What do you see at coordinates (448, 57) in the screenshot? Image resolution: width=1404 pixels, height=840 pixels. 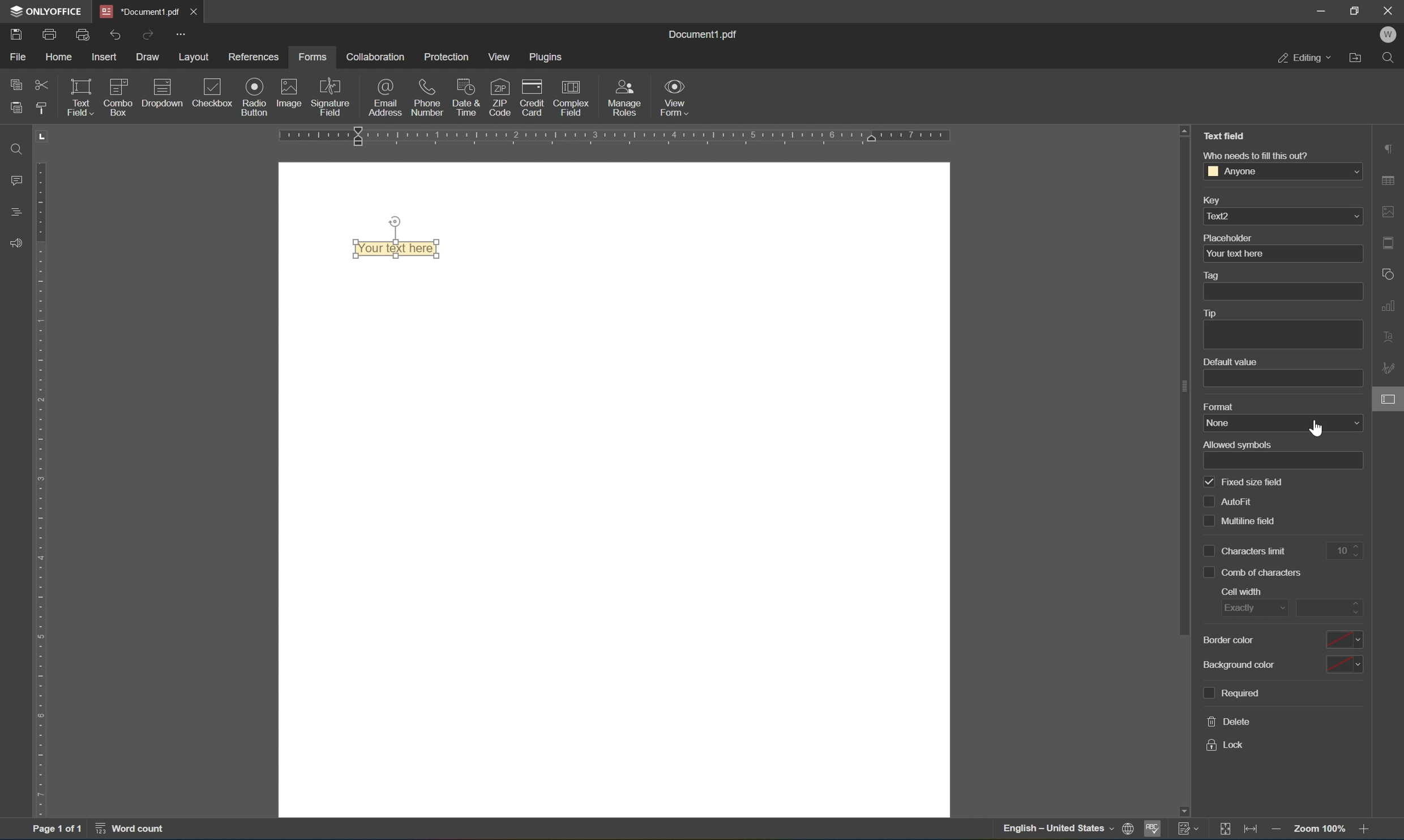 I see `protection` at bounding box center [448, 57].